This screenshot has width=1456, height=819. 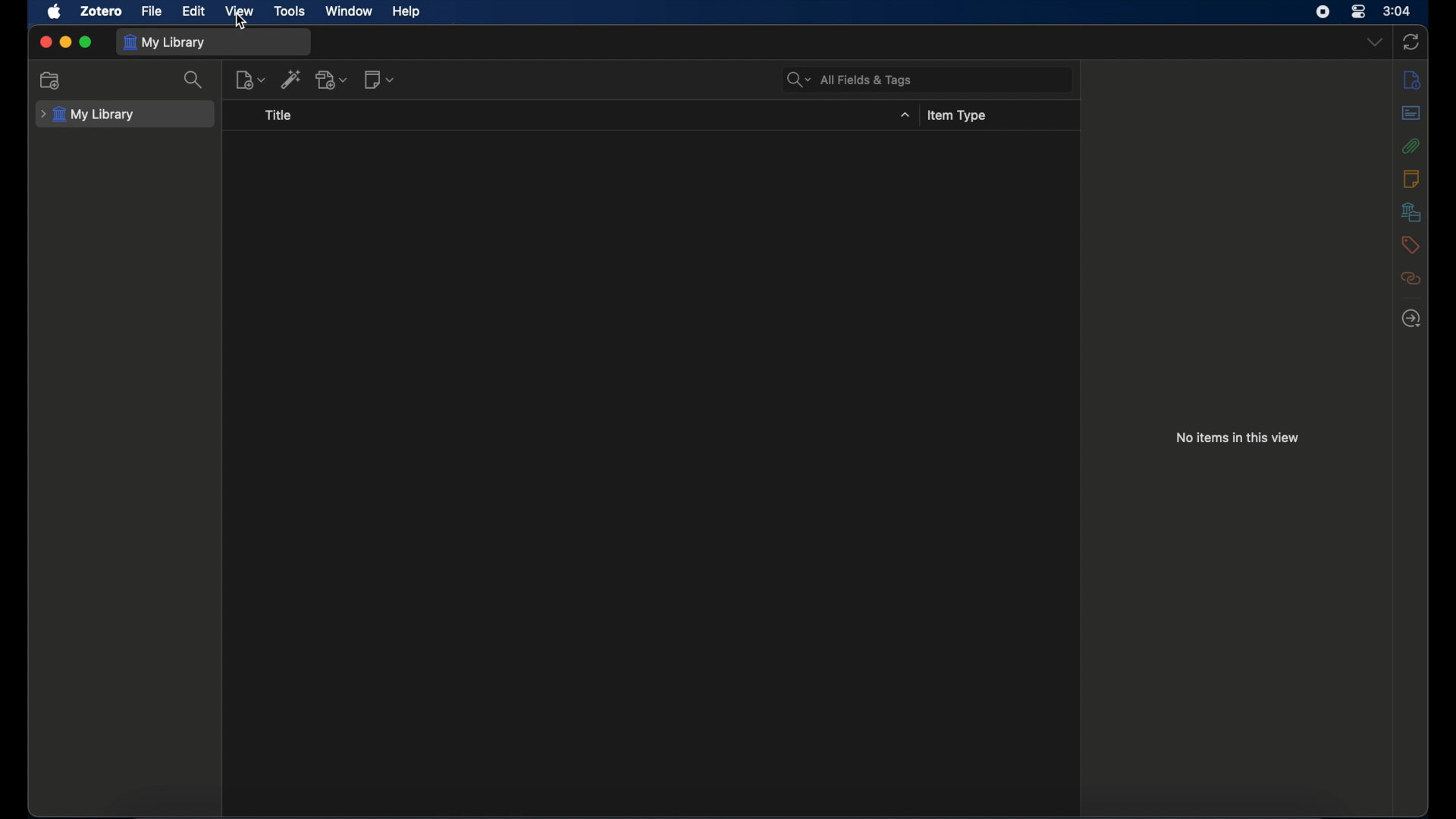 What do you see at coordinates (1411, 42) in the screenshot?
I see `sync` at bounding box center [1411, 42].